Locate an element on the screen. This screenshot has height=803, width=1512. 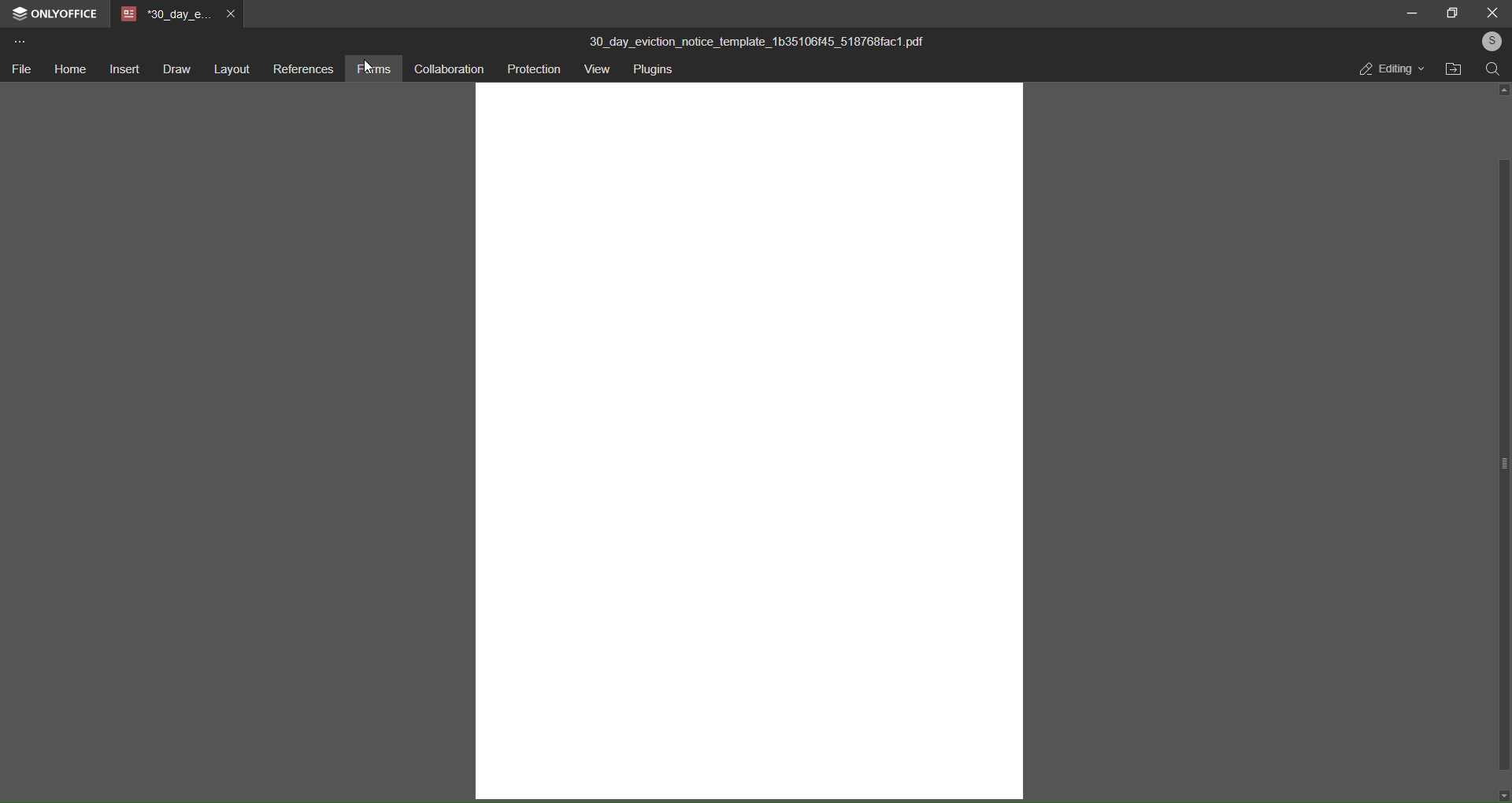
protection is located at coordinates (535, 68).